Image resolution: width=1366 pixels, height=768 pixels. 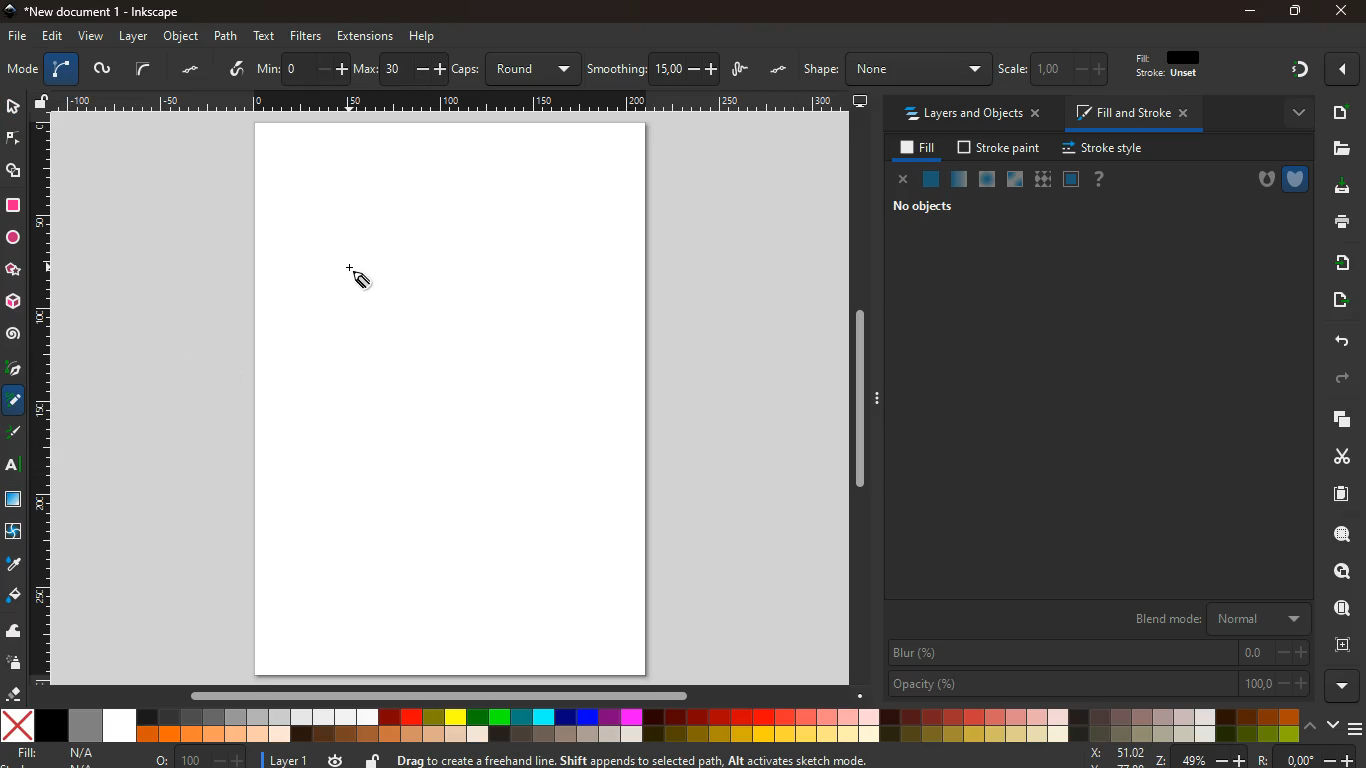 What do you see at coordinates (1341, 223) in the screenshot?
I see `print` at bounding box center [1341, 223].